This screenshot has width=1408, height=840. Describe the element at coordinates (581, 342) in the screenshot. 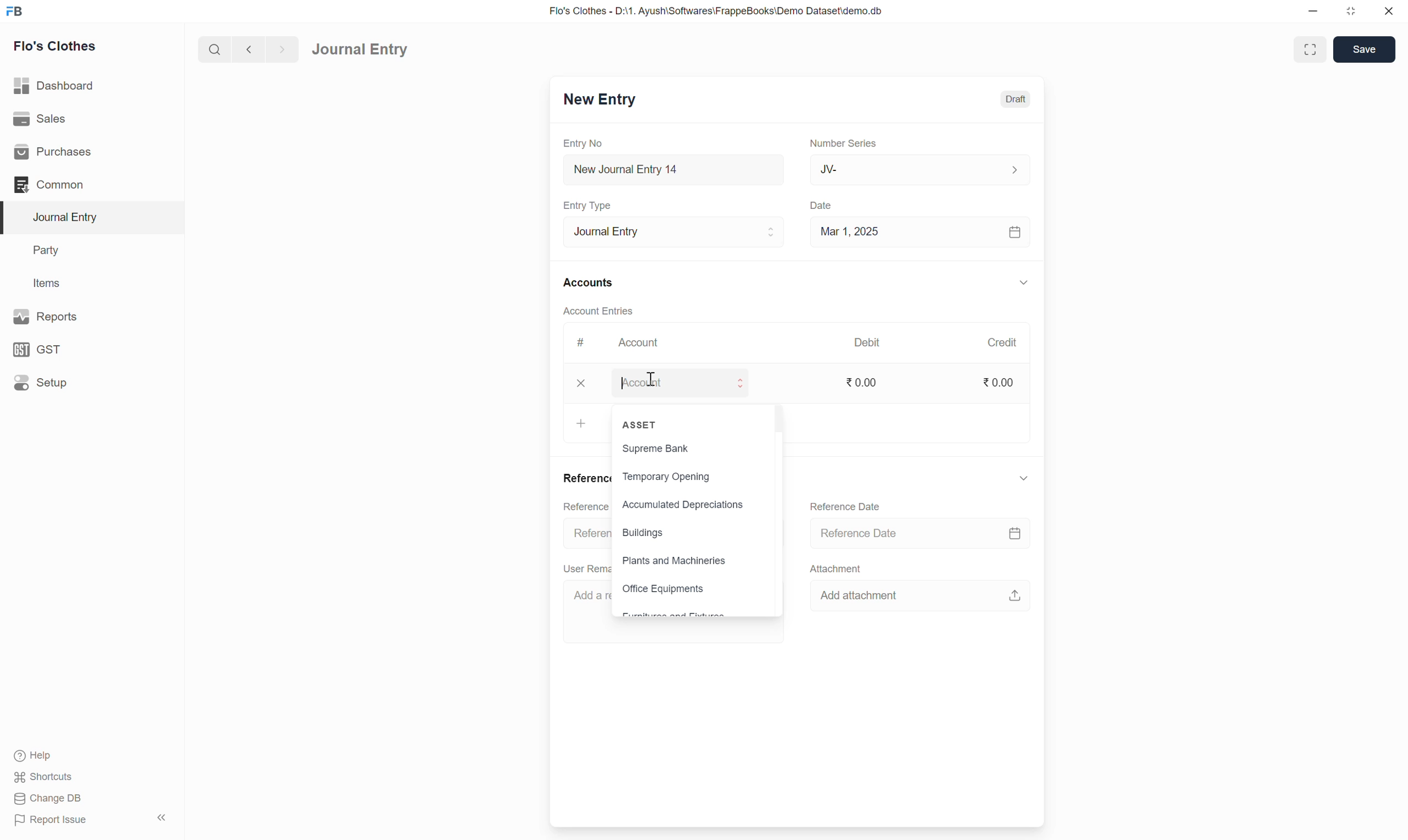

I see `#` at that location.